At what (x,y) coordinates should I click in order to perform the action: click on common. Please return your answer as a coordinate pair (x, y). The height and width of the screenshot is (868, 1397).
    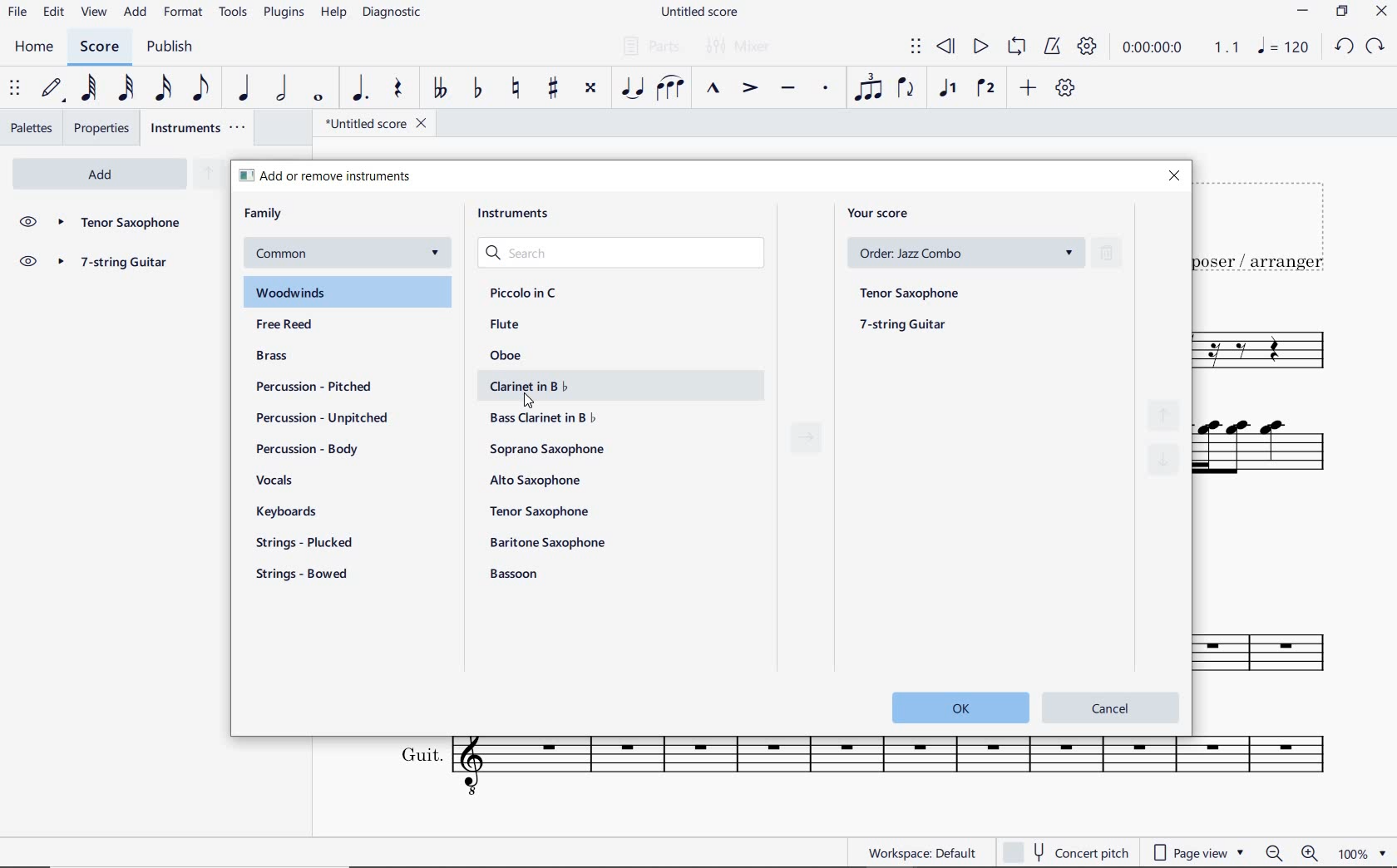
    Looking at the image, I should click on (345, 254).